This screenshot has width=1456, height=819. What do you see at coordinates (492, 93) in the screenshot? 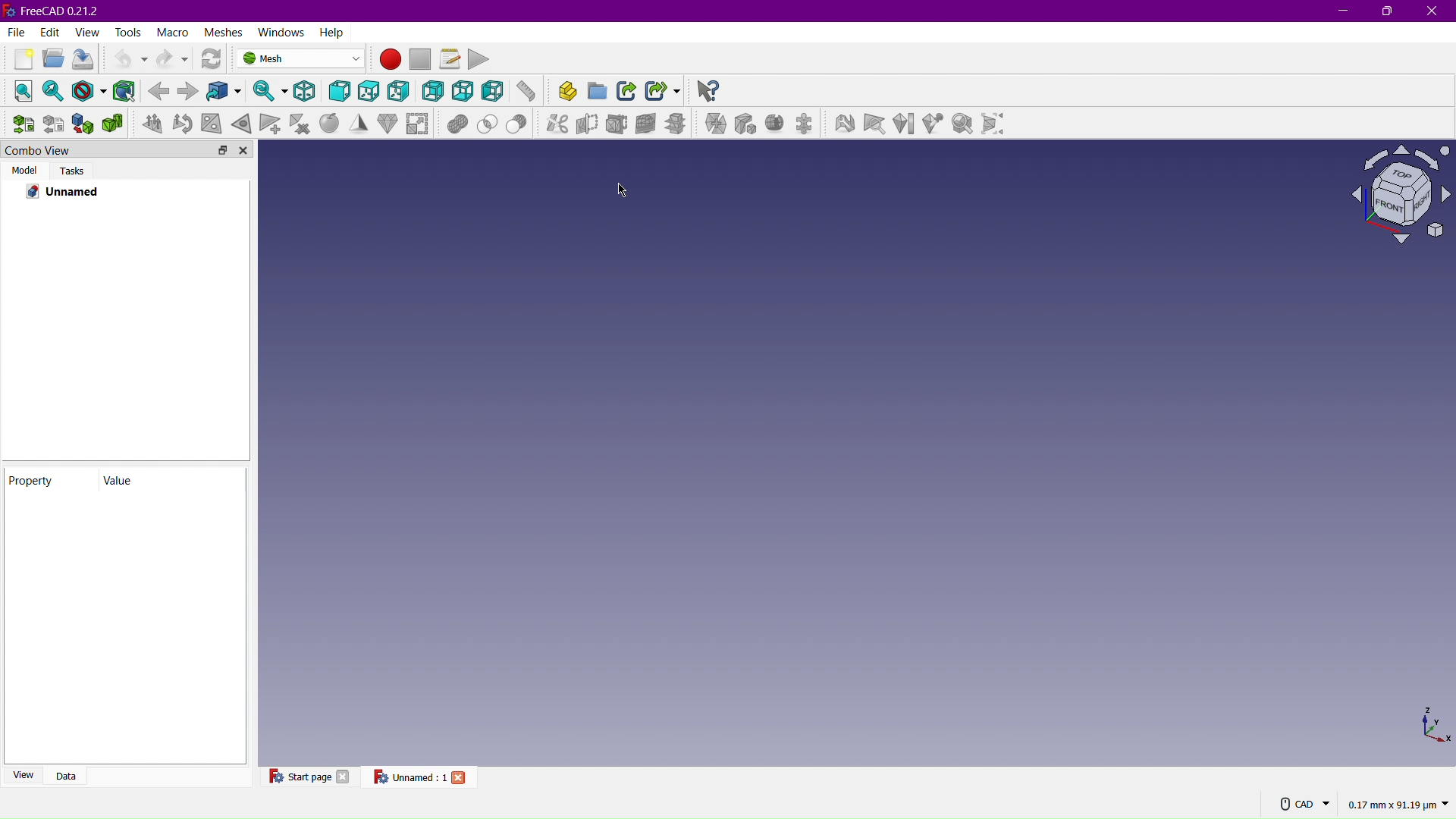
I see `Left` at bounding box center [492, 93].